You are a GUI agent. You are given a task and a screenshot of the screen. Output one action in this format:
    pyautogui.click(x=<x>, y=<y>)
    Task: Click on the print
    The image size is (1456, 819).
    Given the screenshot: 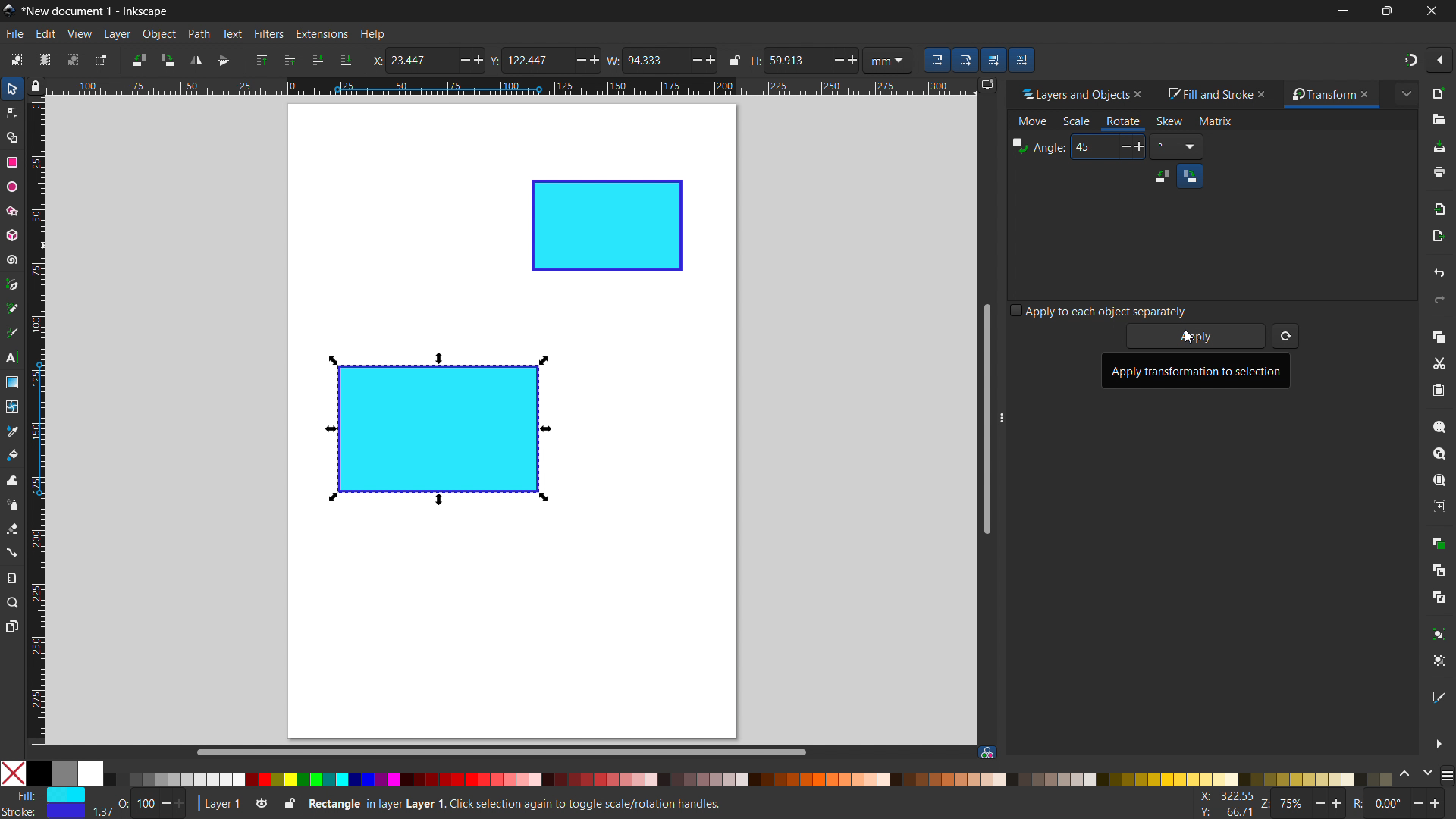 What is the action you would take?
    pyautogui.click(x=1440, y=172)
    